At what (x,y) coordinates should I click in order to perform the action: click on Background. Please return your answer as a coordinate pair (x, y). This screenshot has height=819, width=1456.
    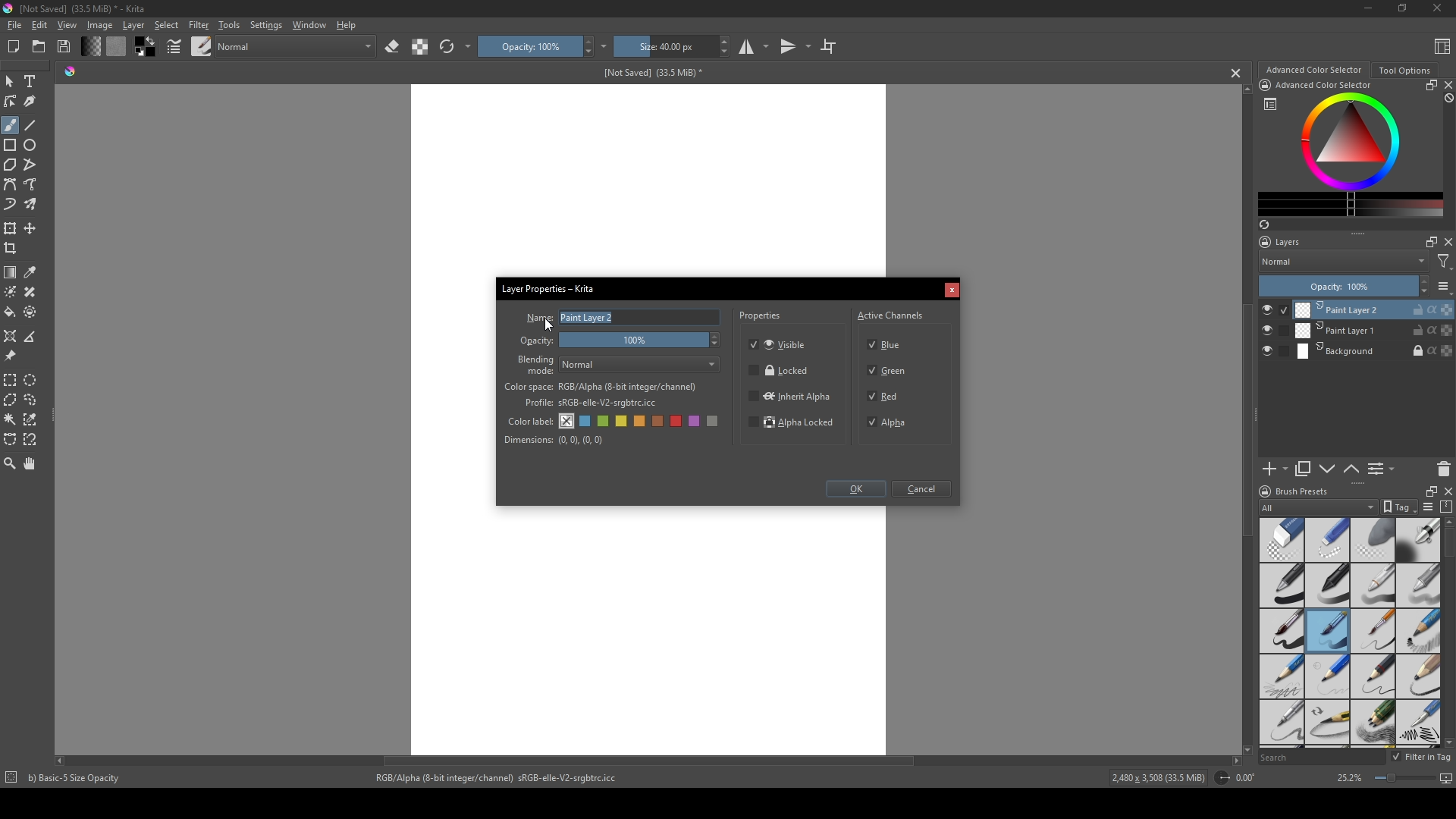
    Looking at the image, I should click on (1375, 352).